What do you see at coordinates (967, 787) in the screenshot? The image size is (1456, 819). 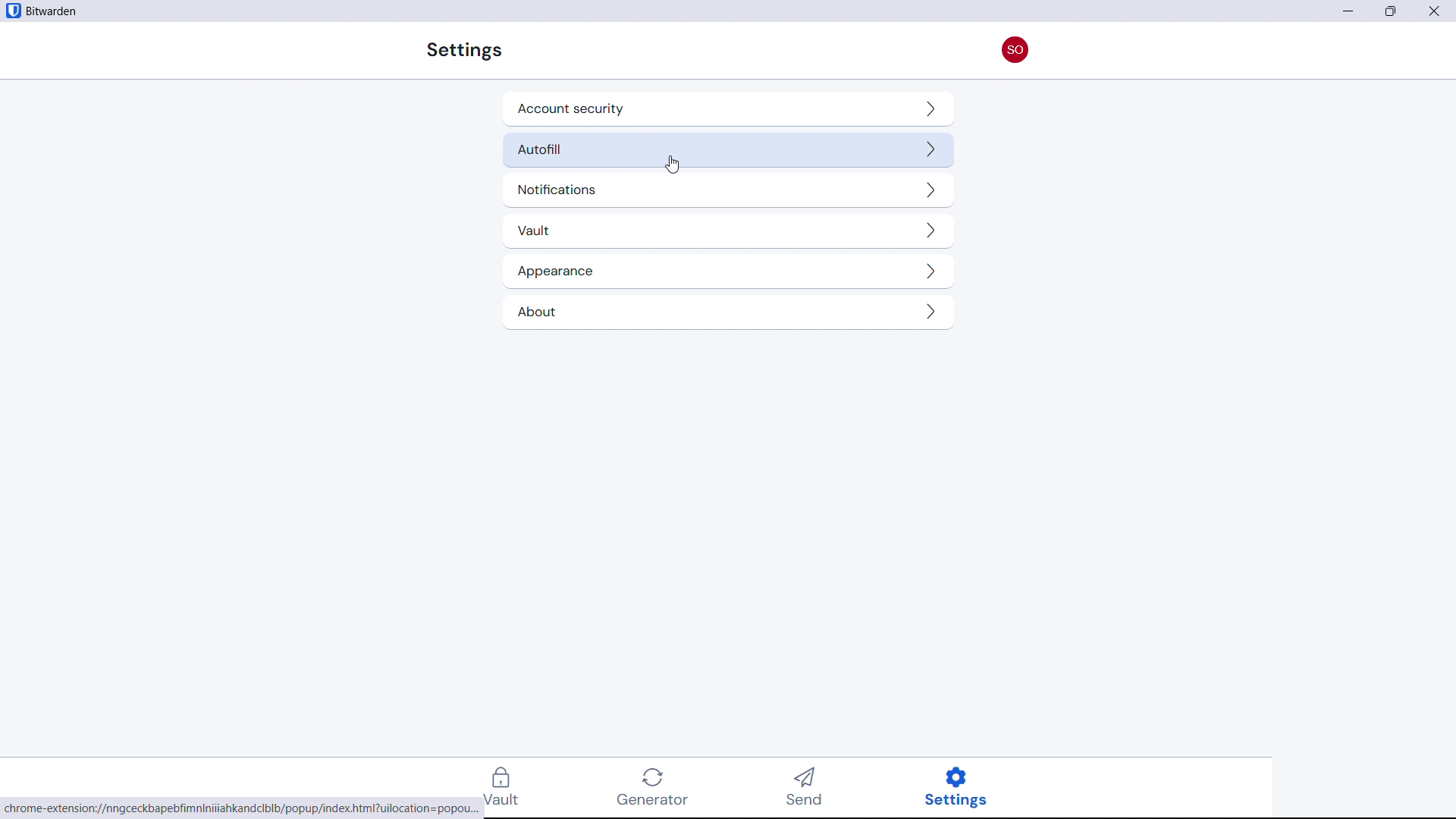 I see `Settings ` at bounding box center [967, 787].